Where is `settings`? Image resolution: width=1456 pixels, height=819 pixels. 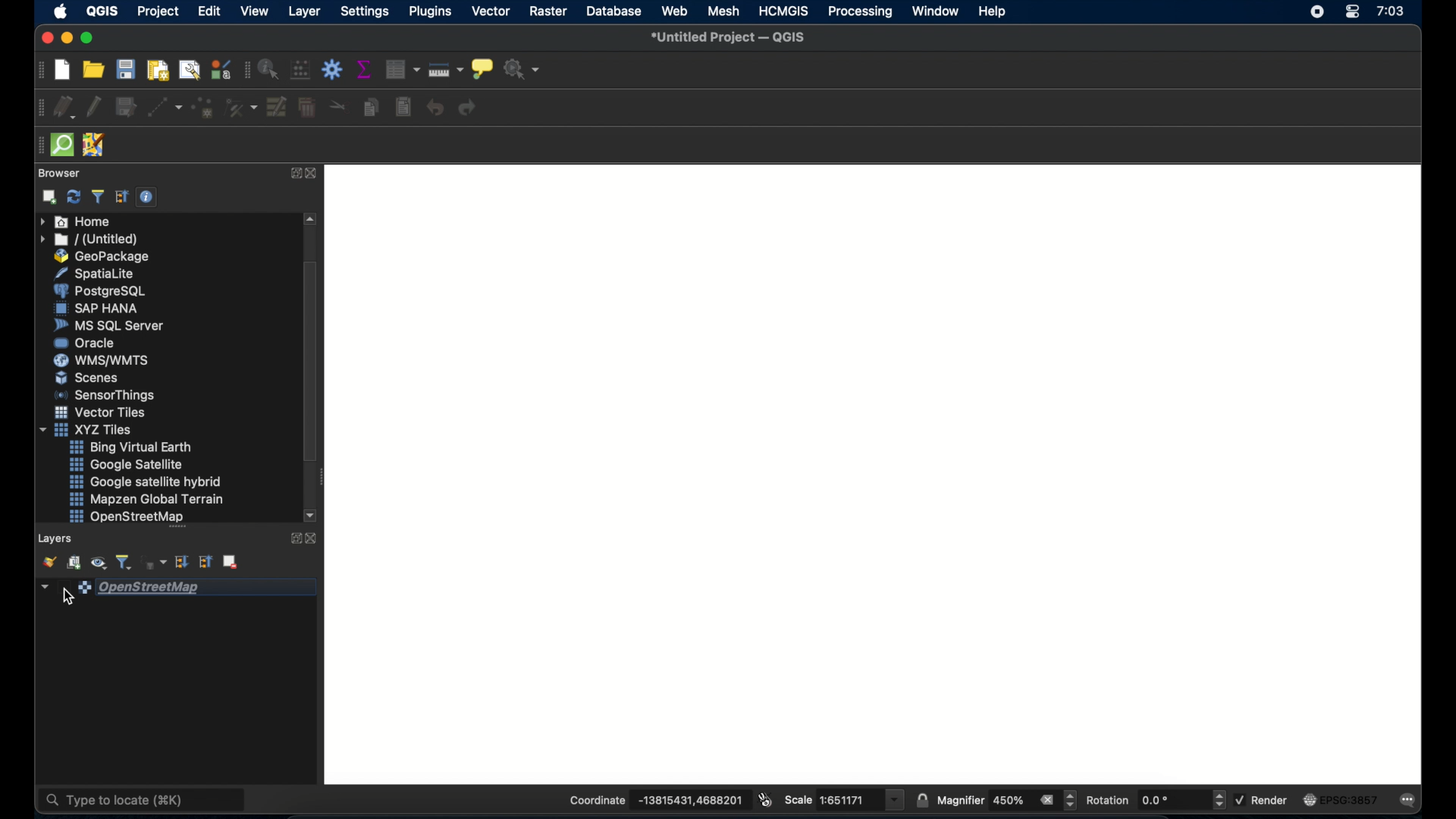
settings is located at coordinates (364, 12).